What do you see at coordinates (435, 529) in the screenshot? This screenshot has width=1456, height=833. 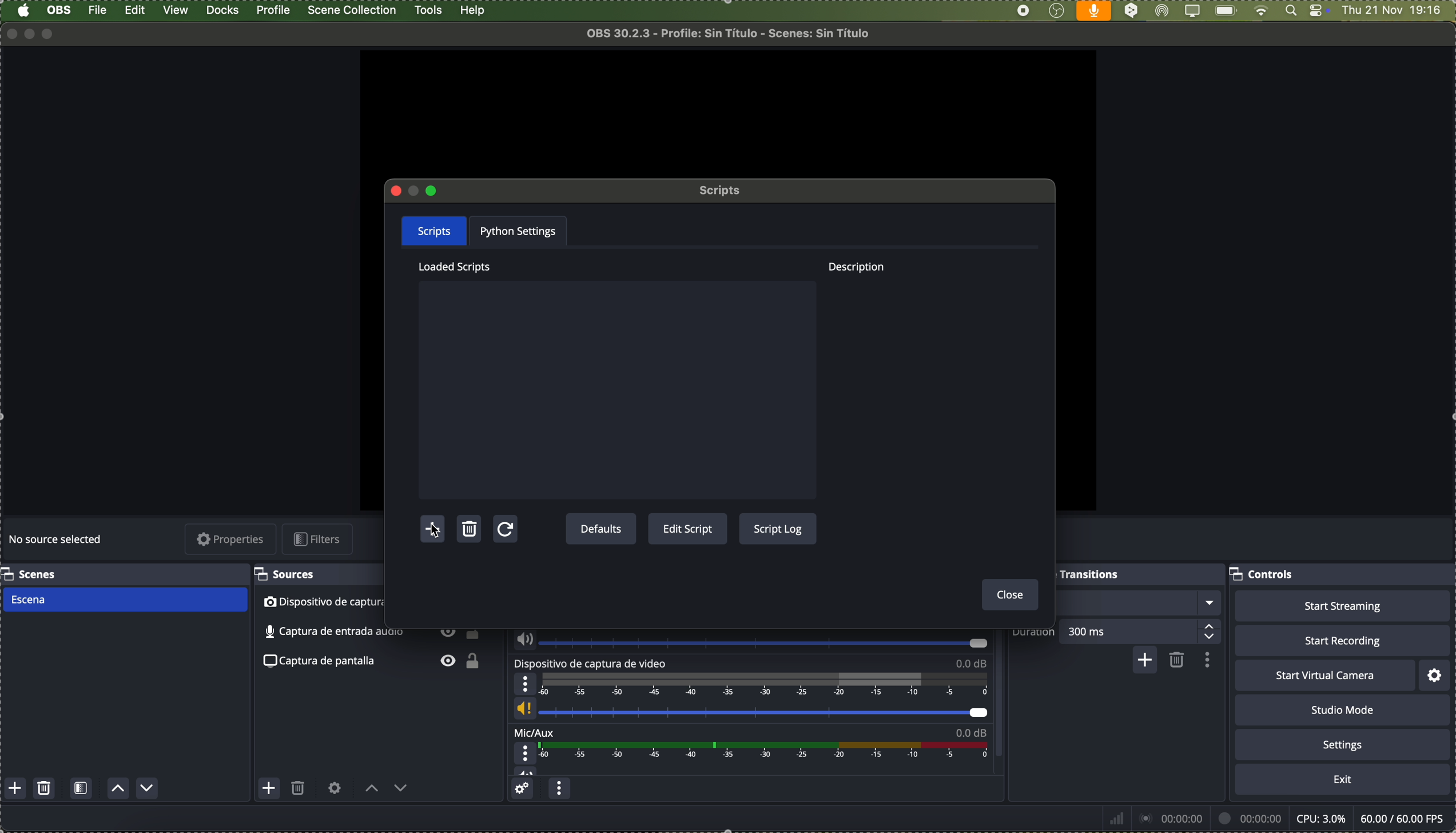 I see `click on add script` at bounding box center [435, 529].